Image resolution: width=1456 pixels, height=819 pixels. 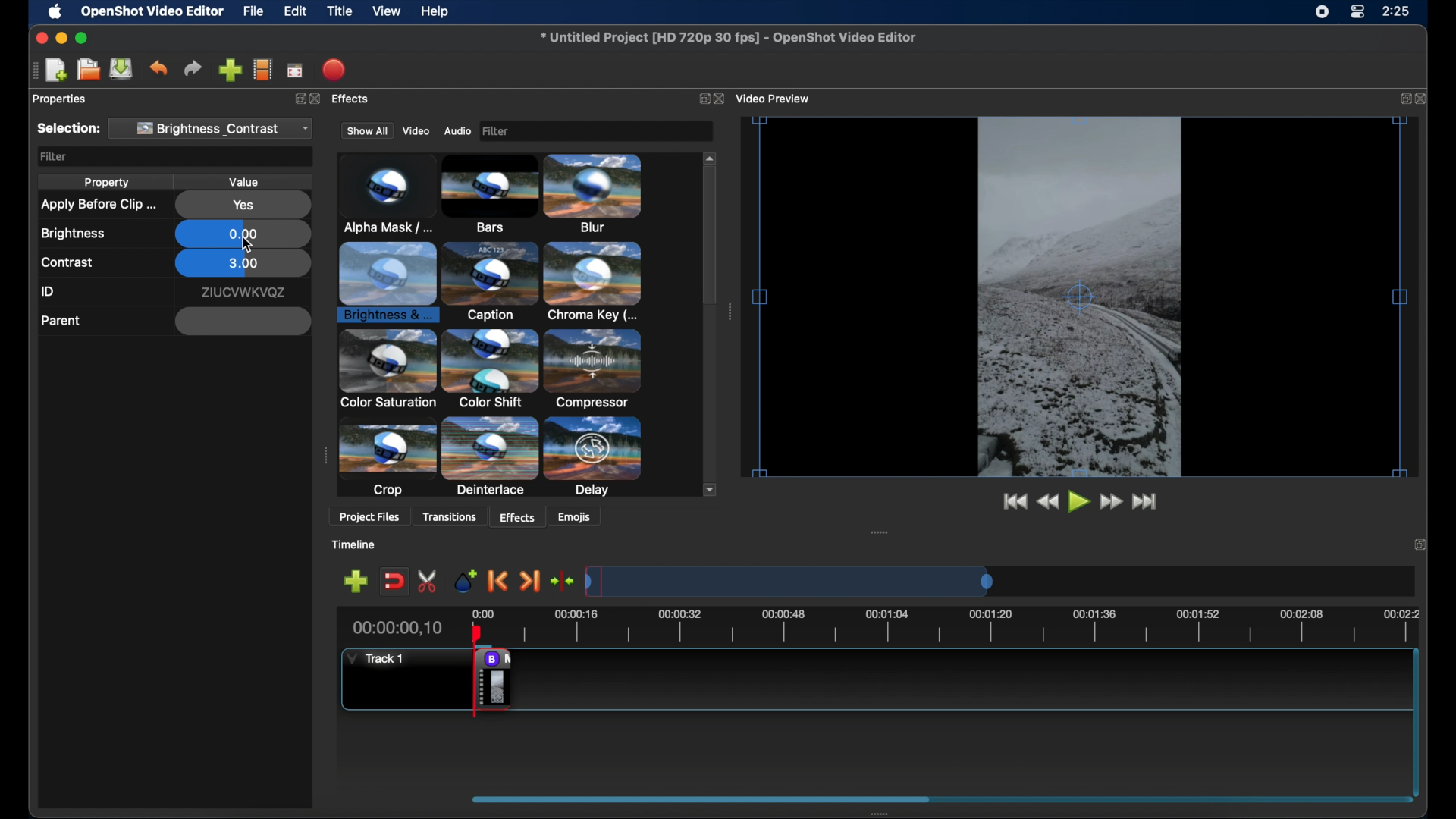 What do you see at coordinates (88, 70) in the screenshot?
I see `open project` at bounding box center [88, 70].